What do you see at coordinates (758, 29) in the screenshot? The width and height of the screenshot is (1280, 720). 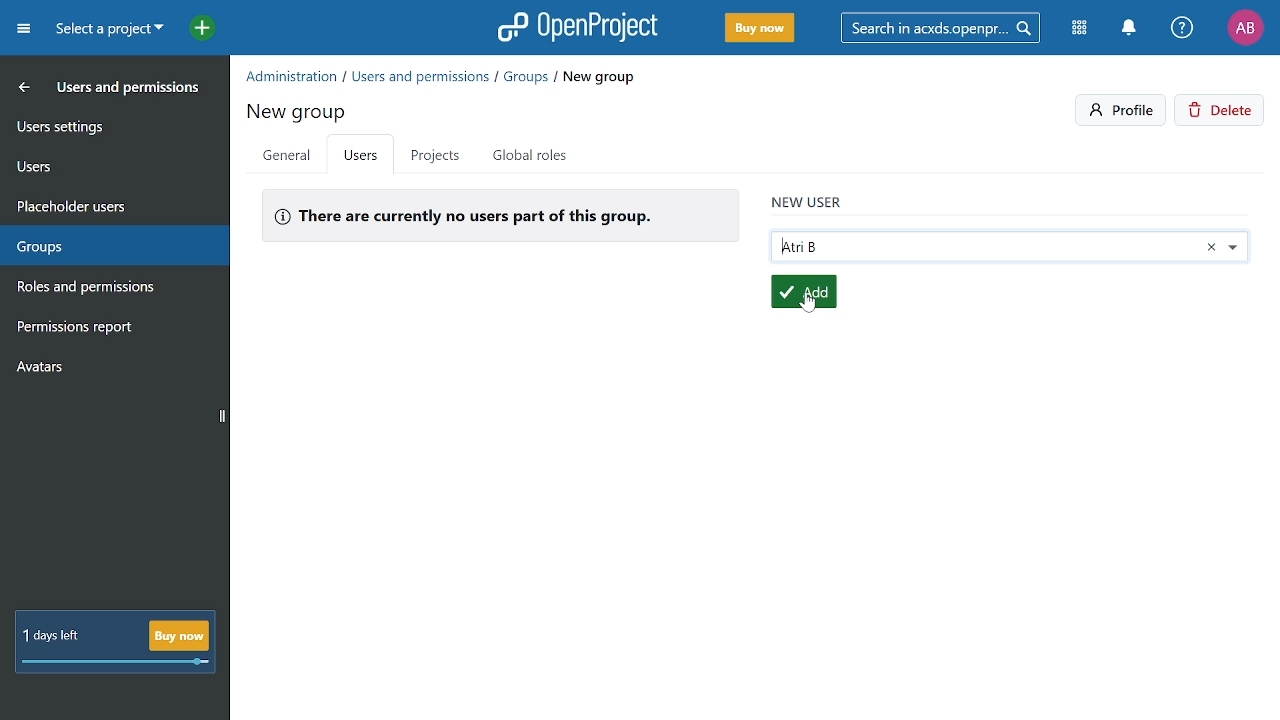 I see `Buy now` at bounding box center [758, 29].